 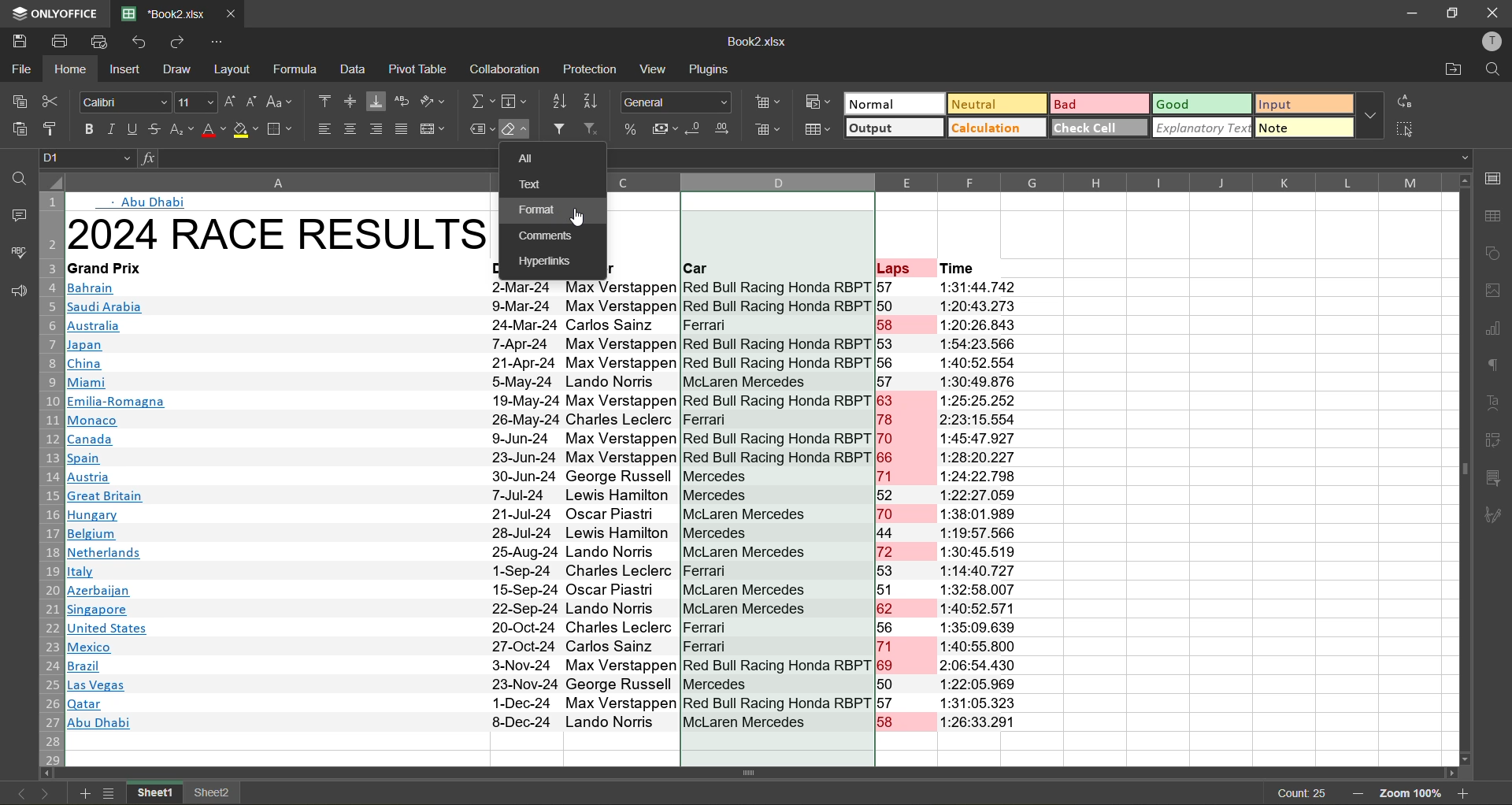 What do you see at coordinates (1466, 795) in the screenshot?
I see `zoom in` at bounding box center [1466, 795].